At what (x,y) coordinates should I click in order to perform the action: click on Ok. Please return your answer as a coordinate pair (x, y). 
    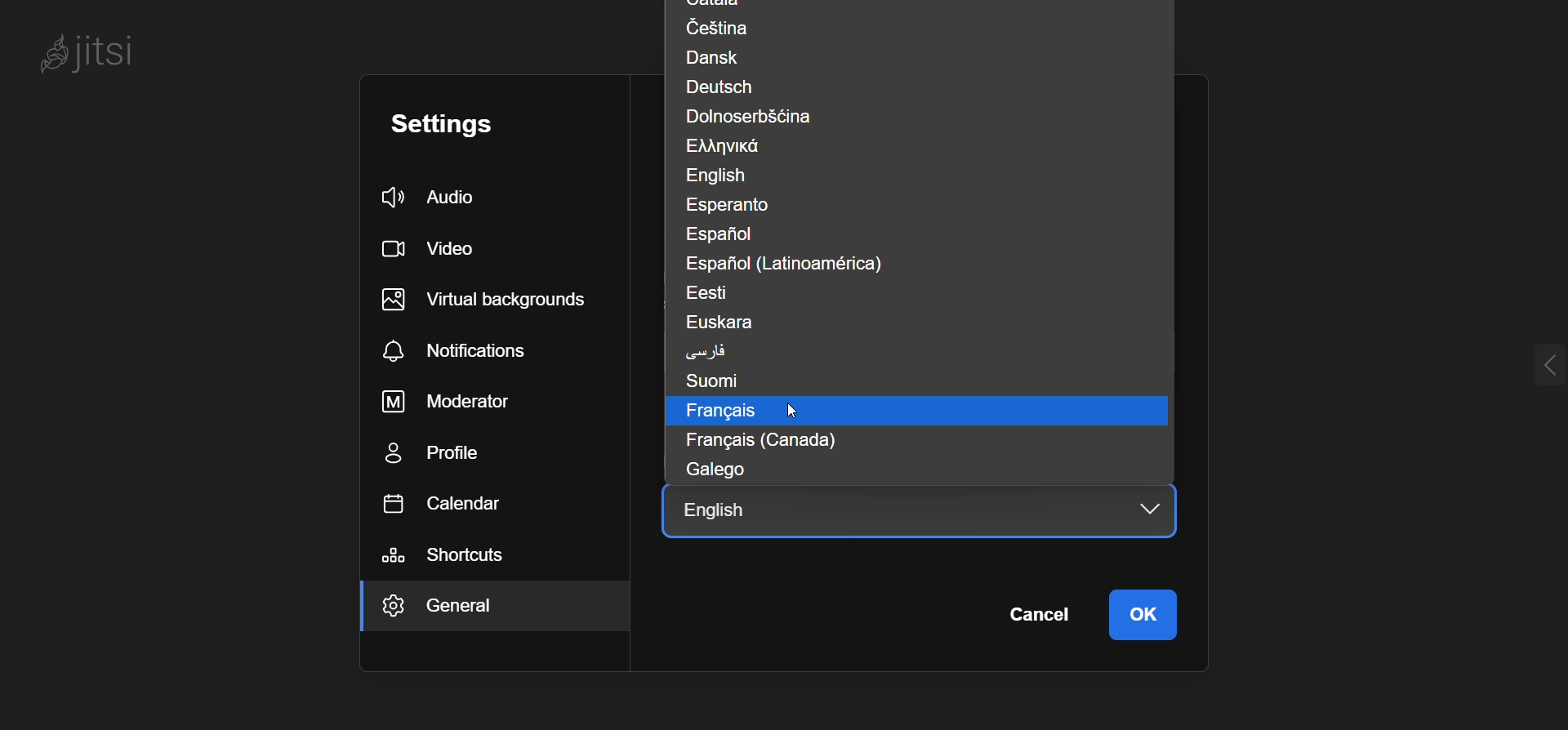
    Looking at the image, I should click on (1145, 616).